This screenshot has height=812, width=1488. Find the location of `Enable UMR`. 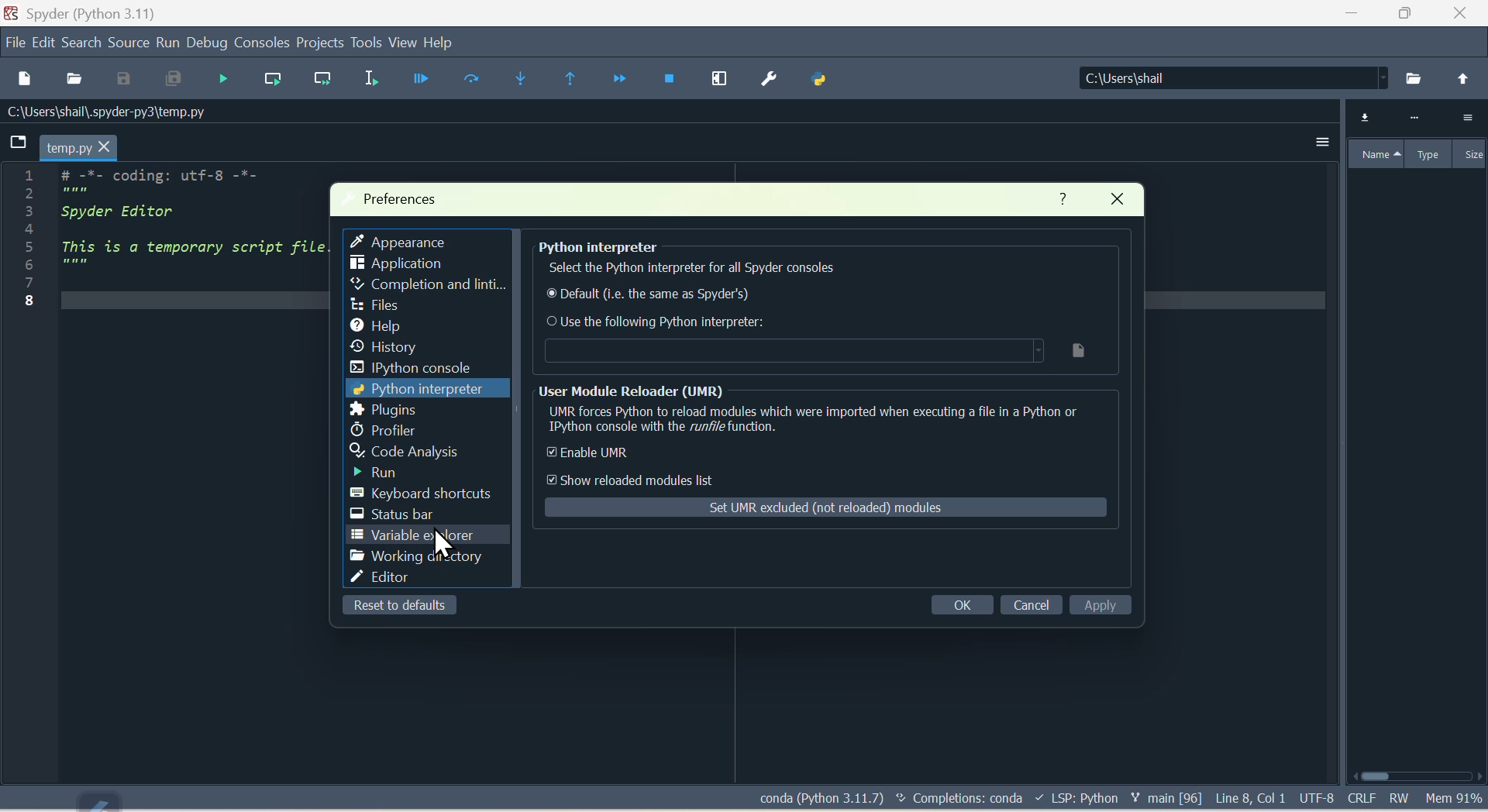

Enable UMR is located at coordinates (645, 456).